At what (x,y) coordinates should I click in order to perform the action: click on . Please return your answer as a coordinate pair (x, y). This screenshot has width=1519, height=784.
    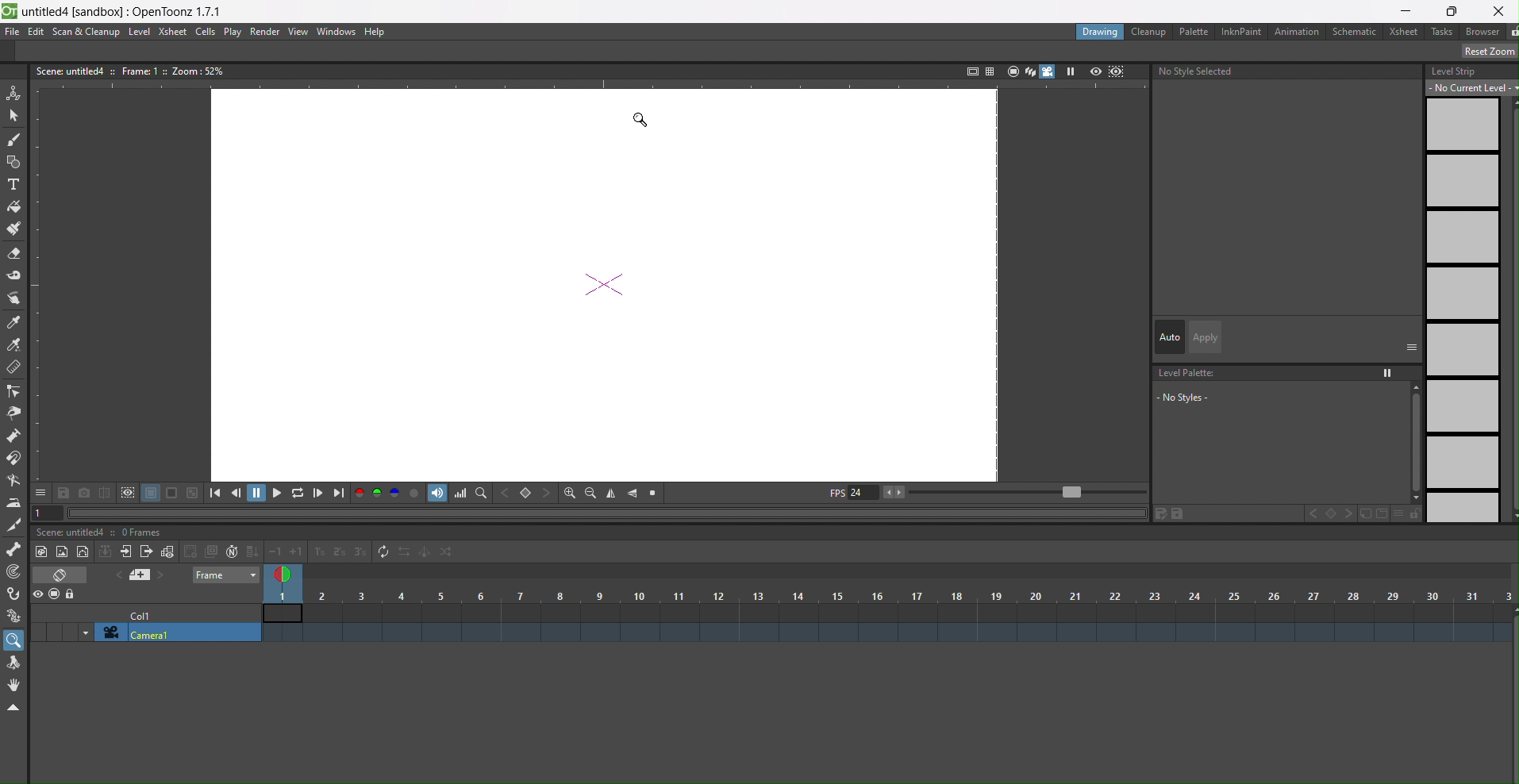
    Looking at the image, I should click on (450, 551).